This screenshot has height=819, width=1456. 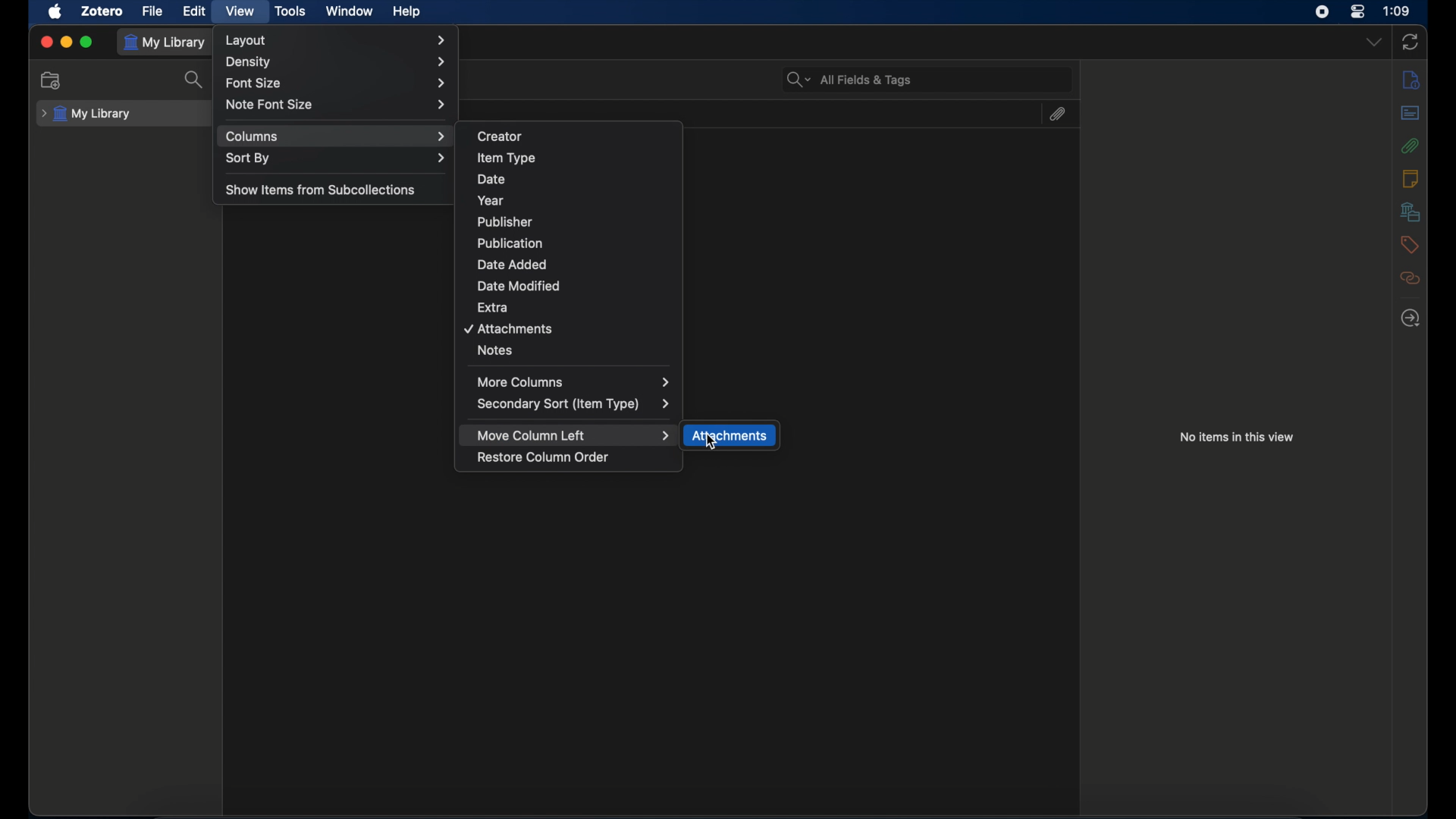 I want to click on date modified, so click(x=519, y=286).